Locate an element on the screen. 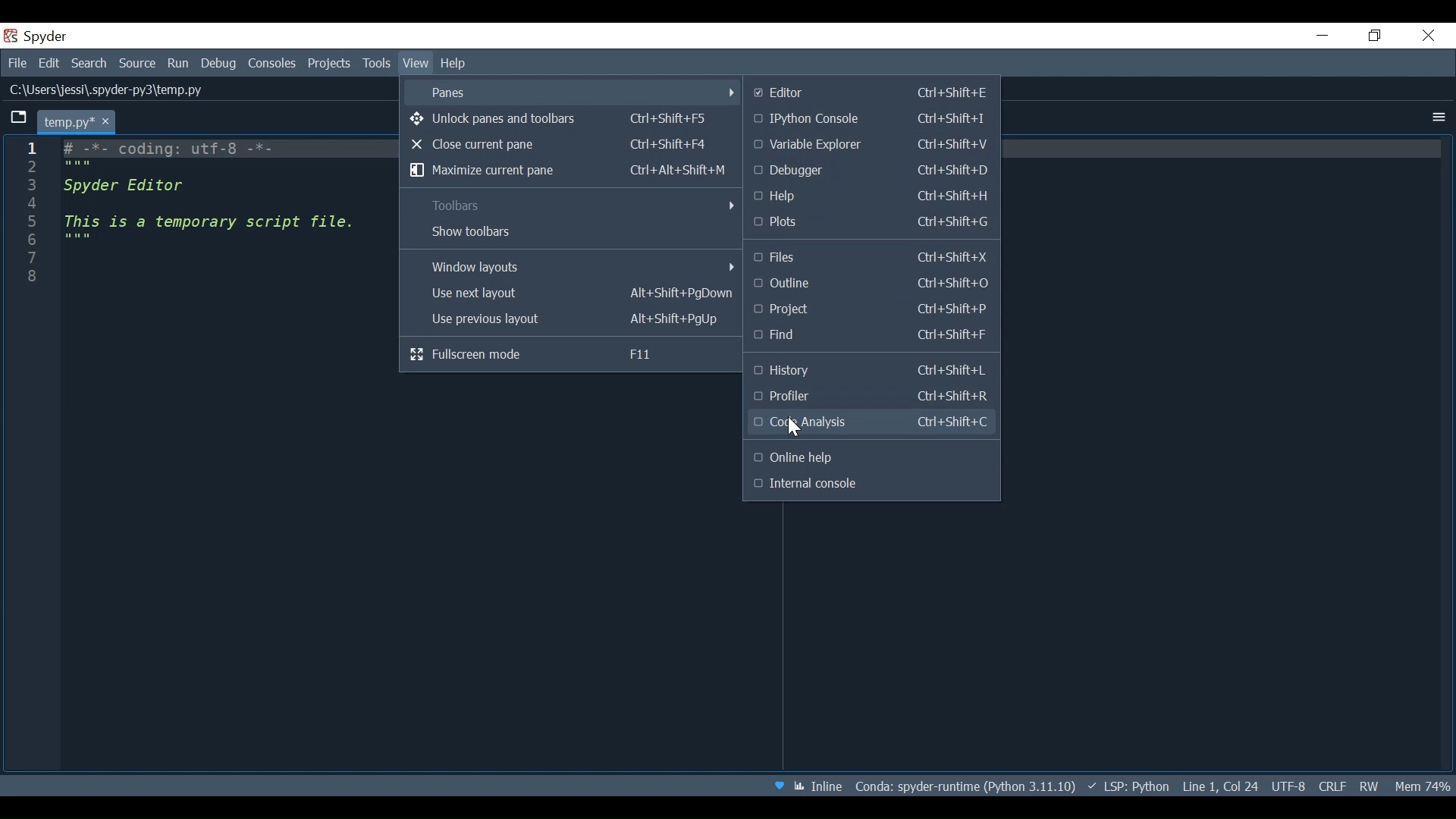  Toolbars is located at coordinates (572, 206).